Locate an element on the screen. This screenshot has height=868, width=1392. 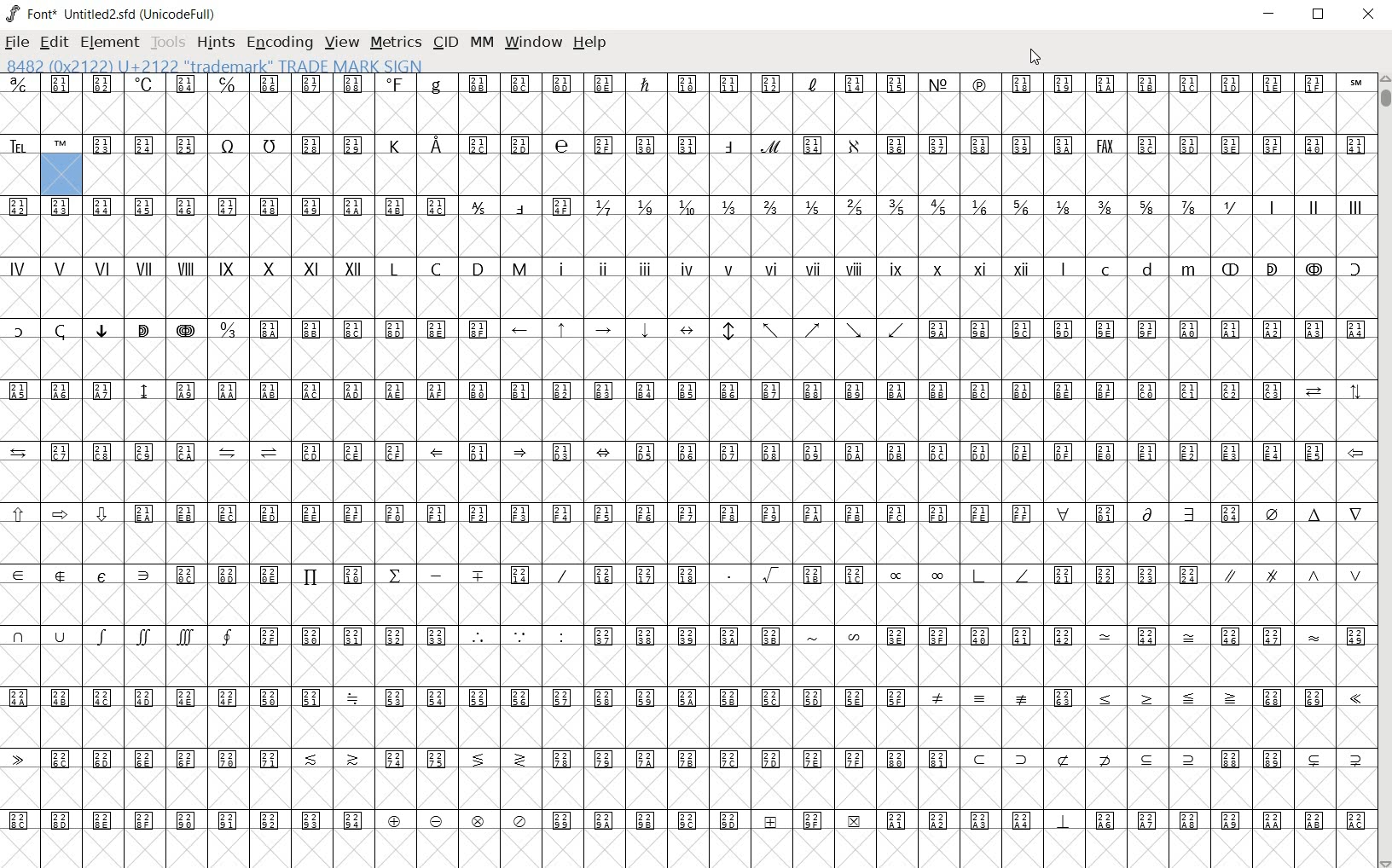
mathematical fractions is located at coordinates (916, 224).